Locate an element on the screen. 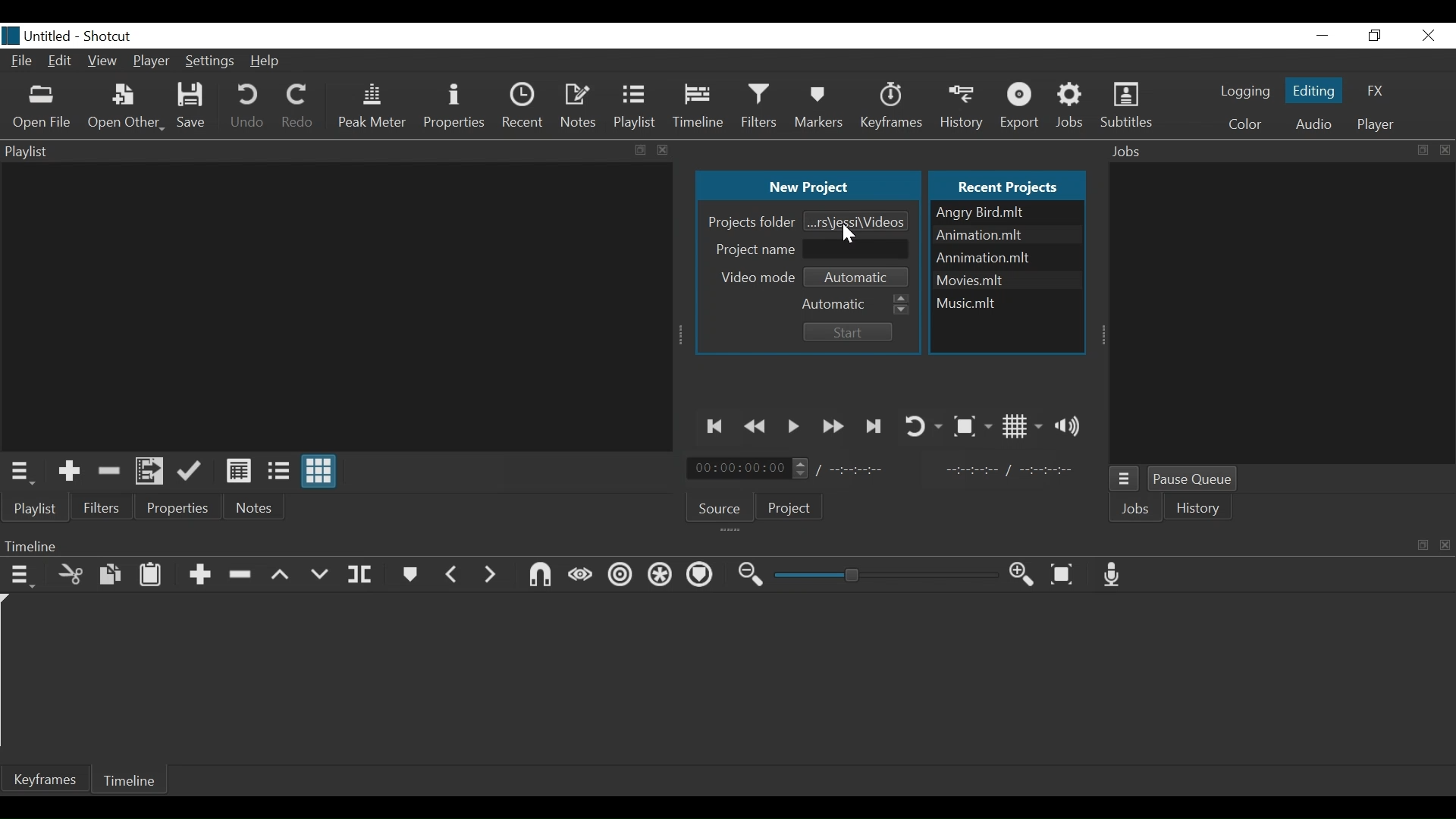 This screenshot has height=819, width=1456. New Project is located at coordinates (808, 187).